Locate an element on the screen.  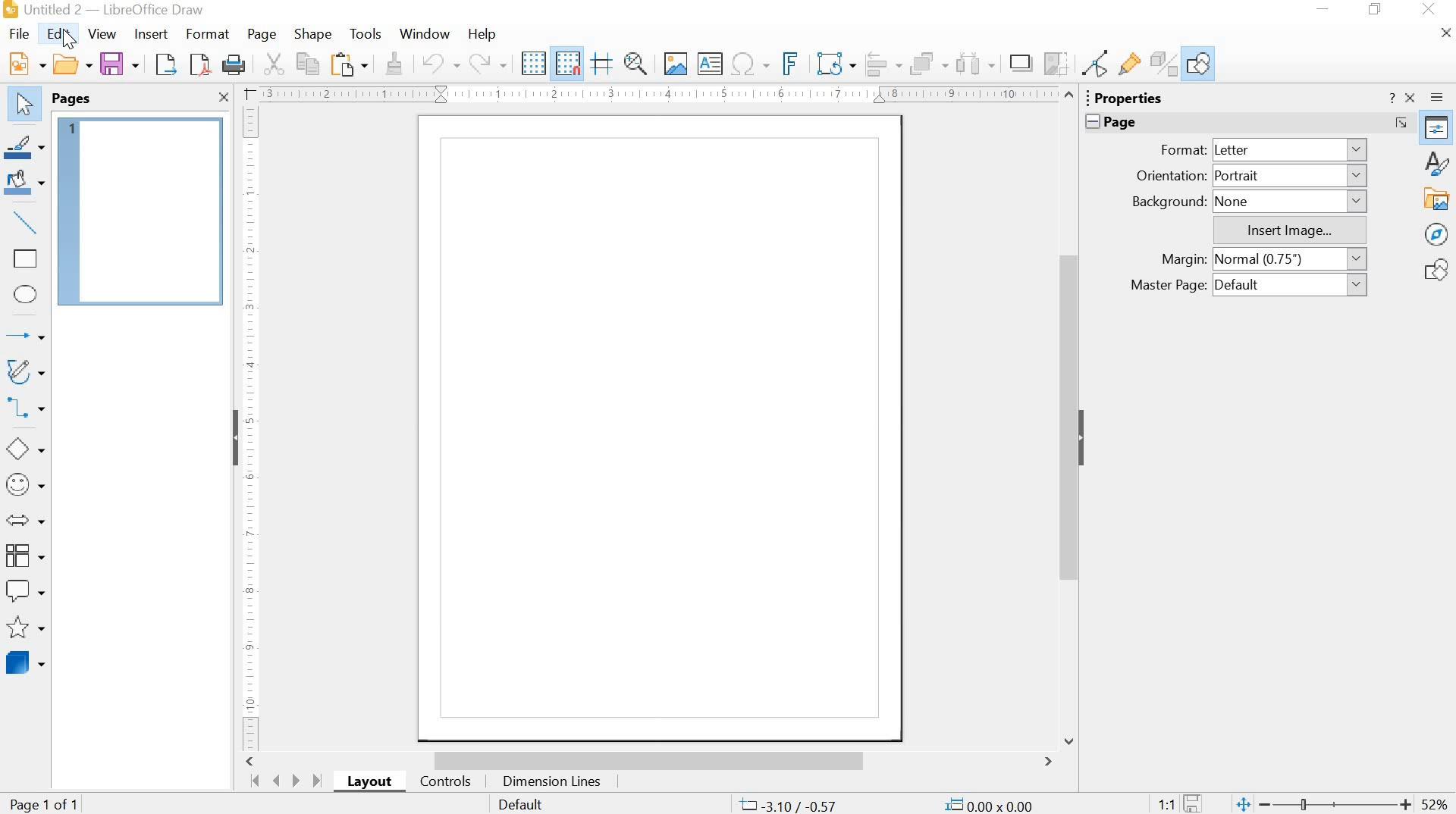
Ellipse (double click for multi-selection) is located at coordinates (27, 293).